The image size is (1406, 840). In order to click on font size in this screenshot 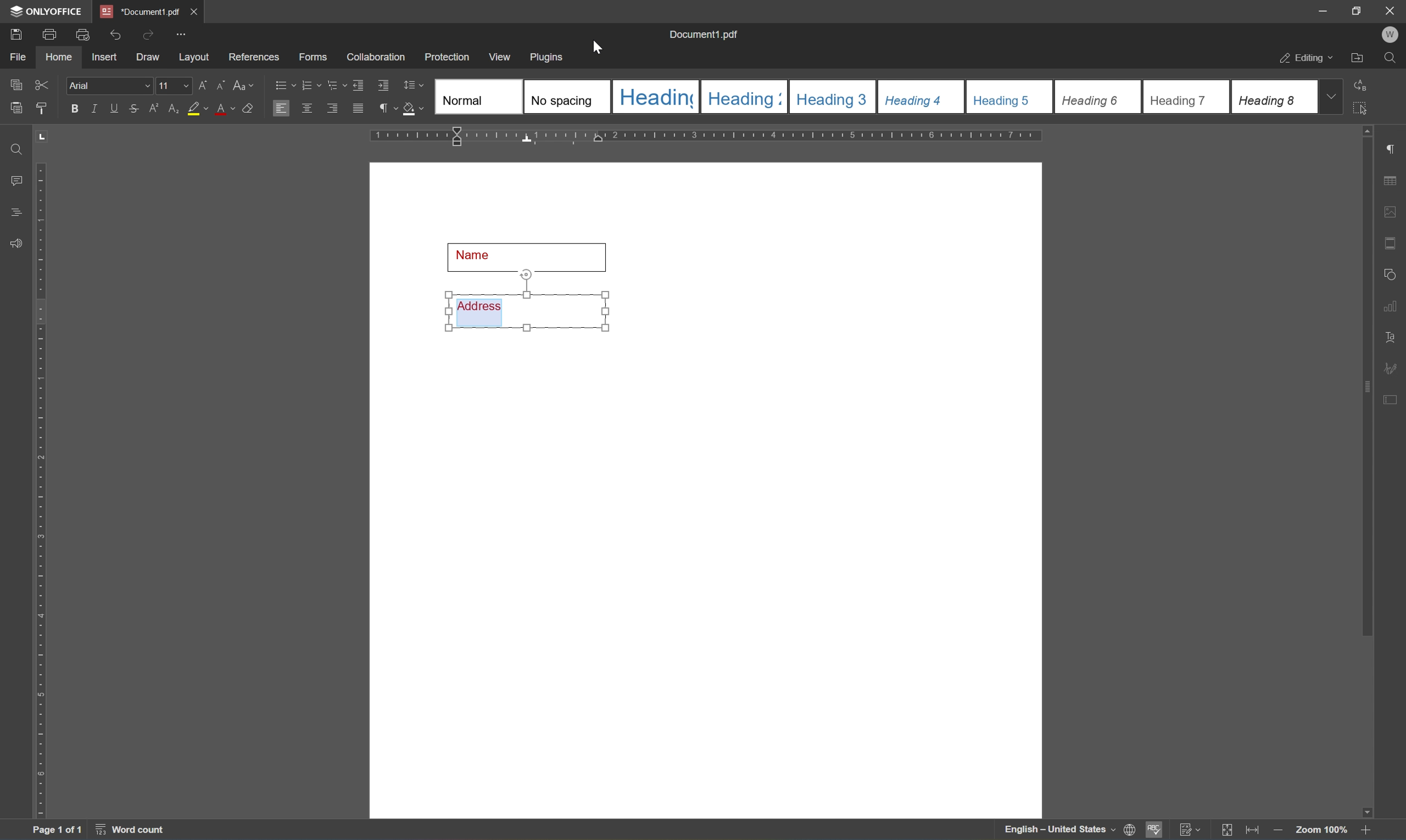, I will do `click(174, 85)`.